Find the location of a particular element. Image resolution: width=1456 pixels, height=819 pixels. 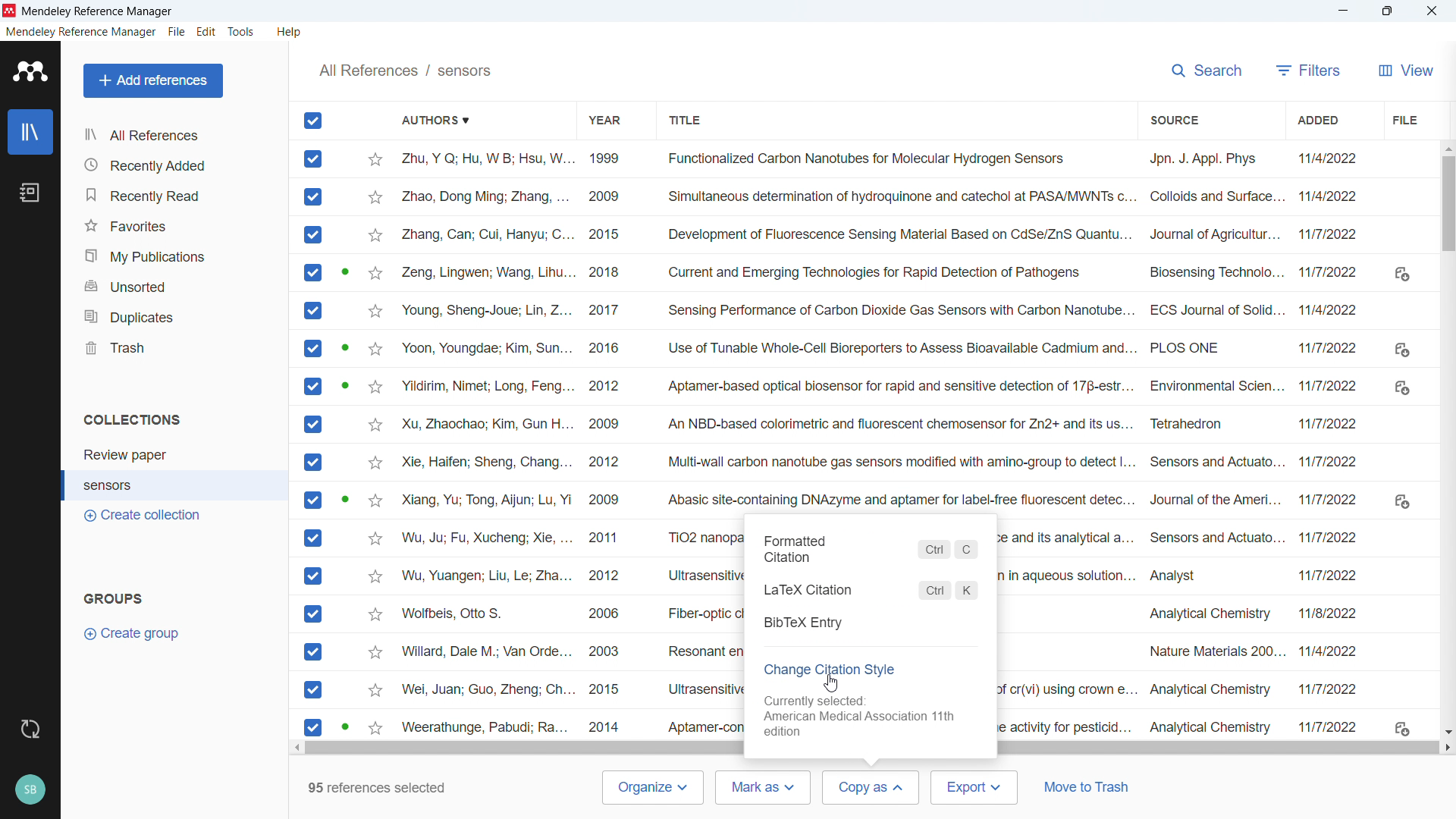

mendeley reference manager is located at coordinates (80, 32).